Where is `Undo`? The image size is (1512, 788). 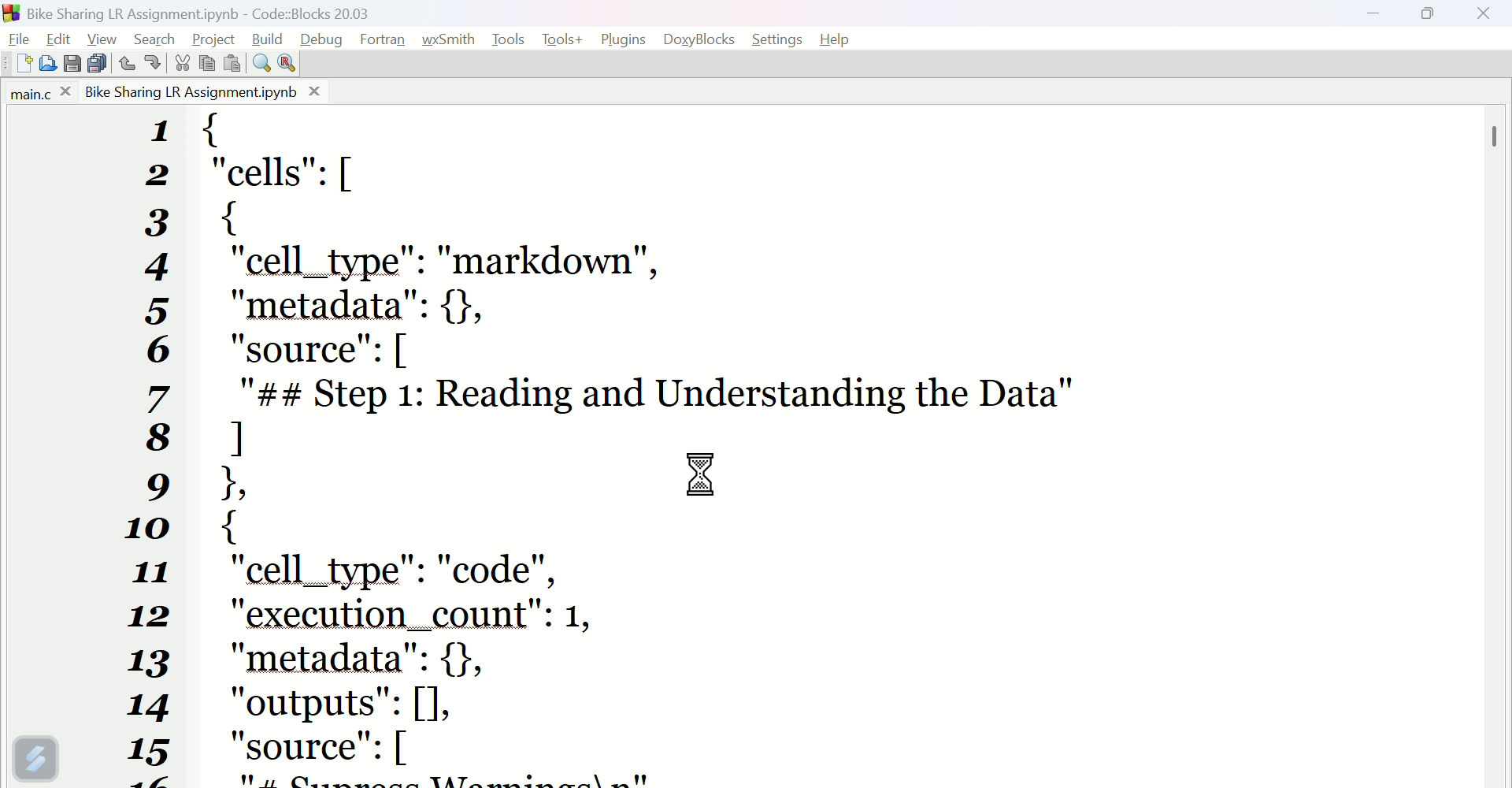 Undo is located at coordinates (128, 63).